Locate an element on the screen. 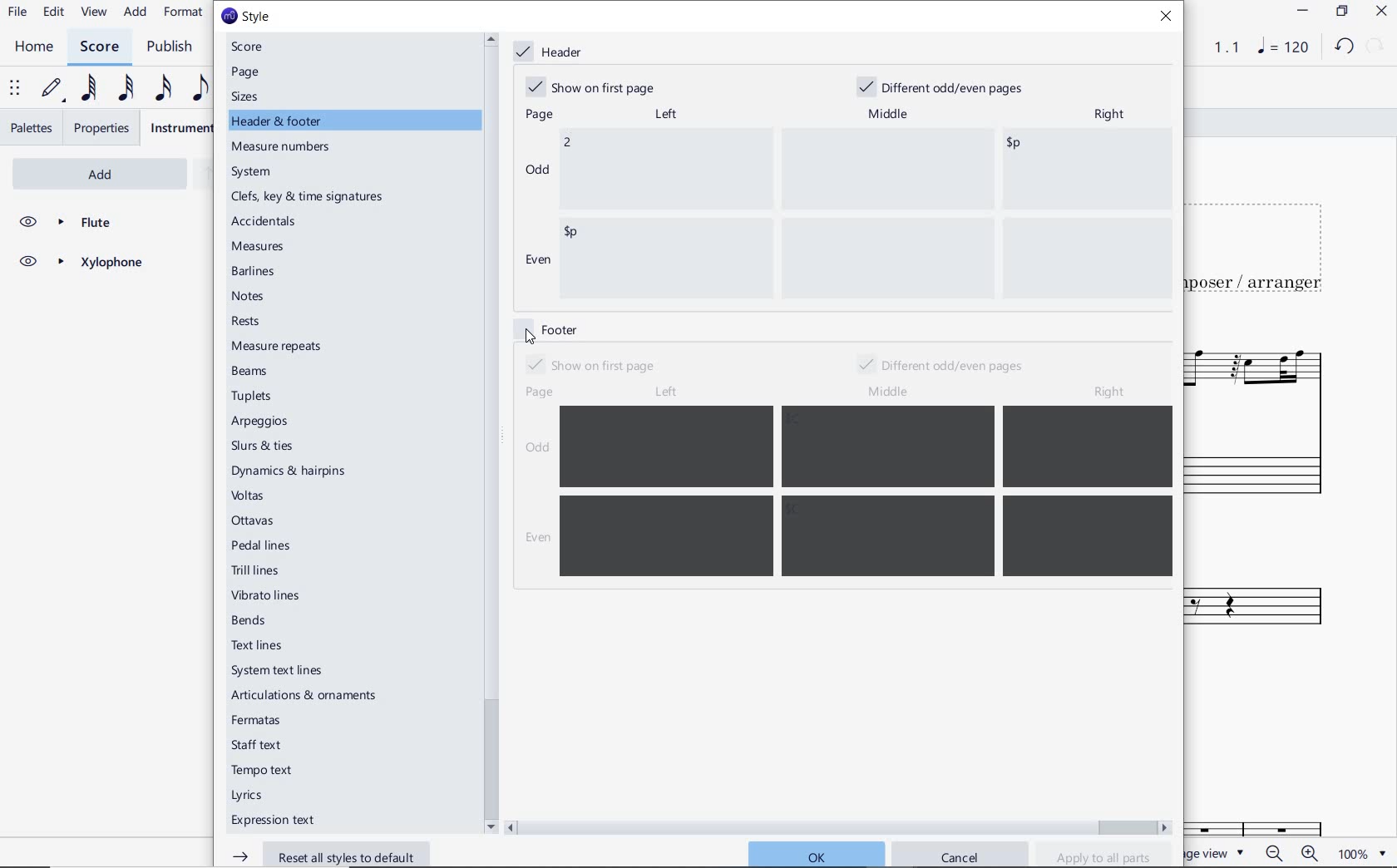 This screenshot has height=868, width=1397. REDO is located at coordinates (1375, 47).